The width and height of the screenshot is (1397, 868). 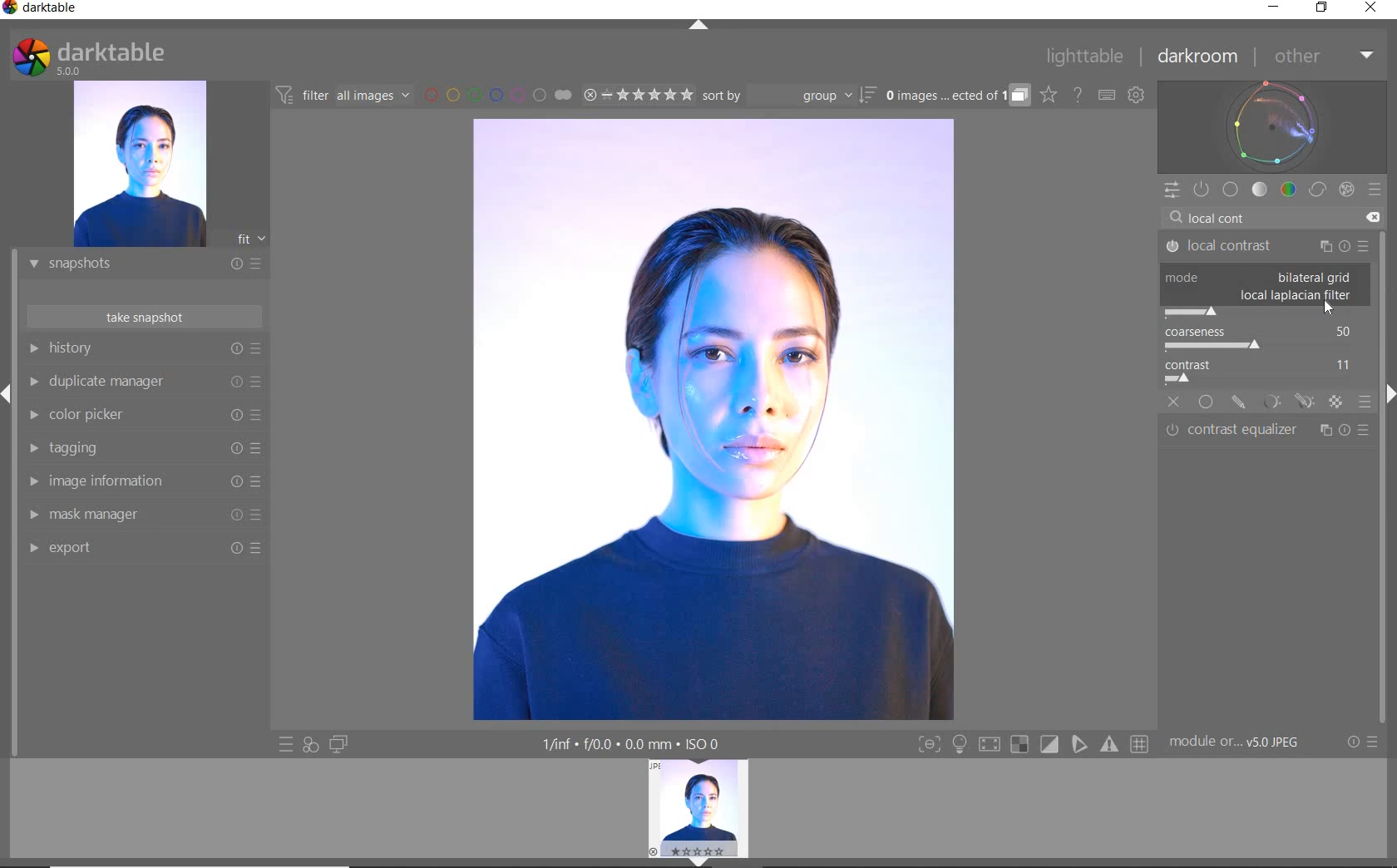 I want to click on DUPLICATE MANAGER, so click(x=143, y=382).